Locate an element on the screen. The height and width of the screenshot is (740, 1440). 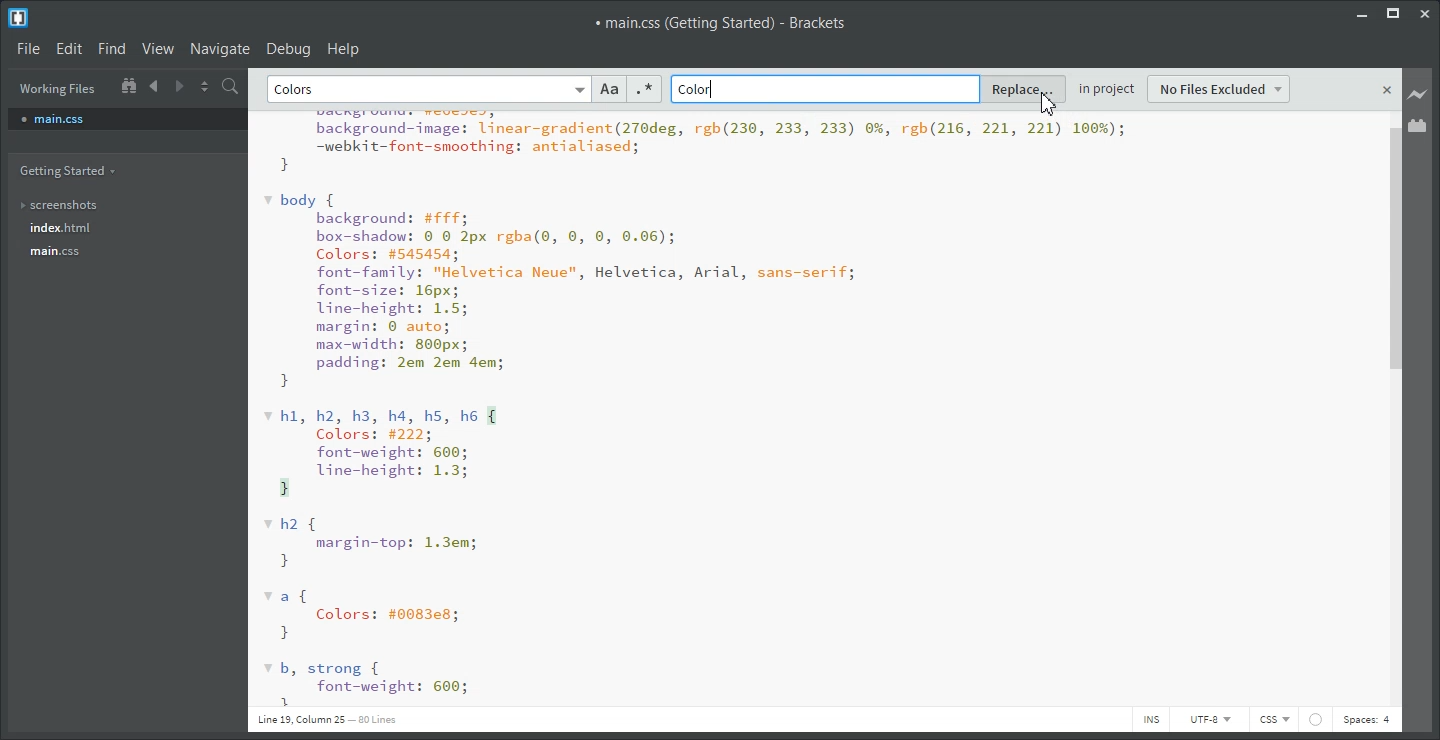
UTF-8 is located at coordinates (1208, 719).